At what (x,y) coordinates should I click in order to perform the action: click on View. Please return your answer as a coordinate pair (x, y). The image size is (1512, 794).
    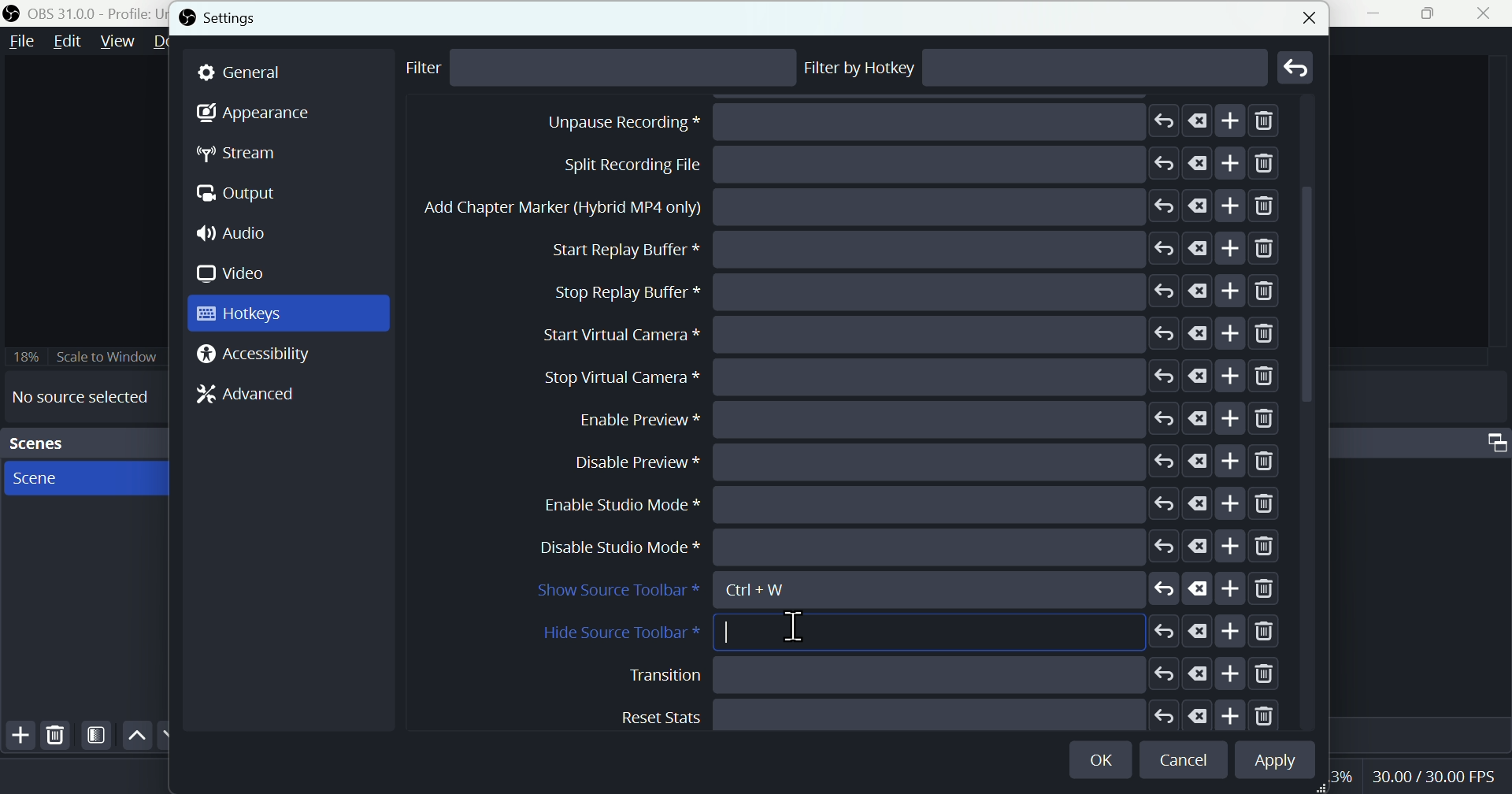
    Looking at the image, I should click on (114, 42).